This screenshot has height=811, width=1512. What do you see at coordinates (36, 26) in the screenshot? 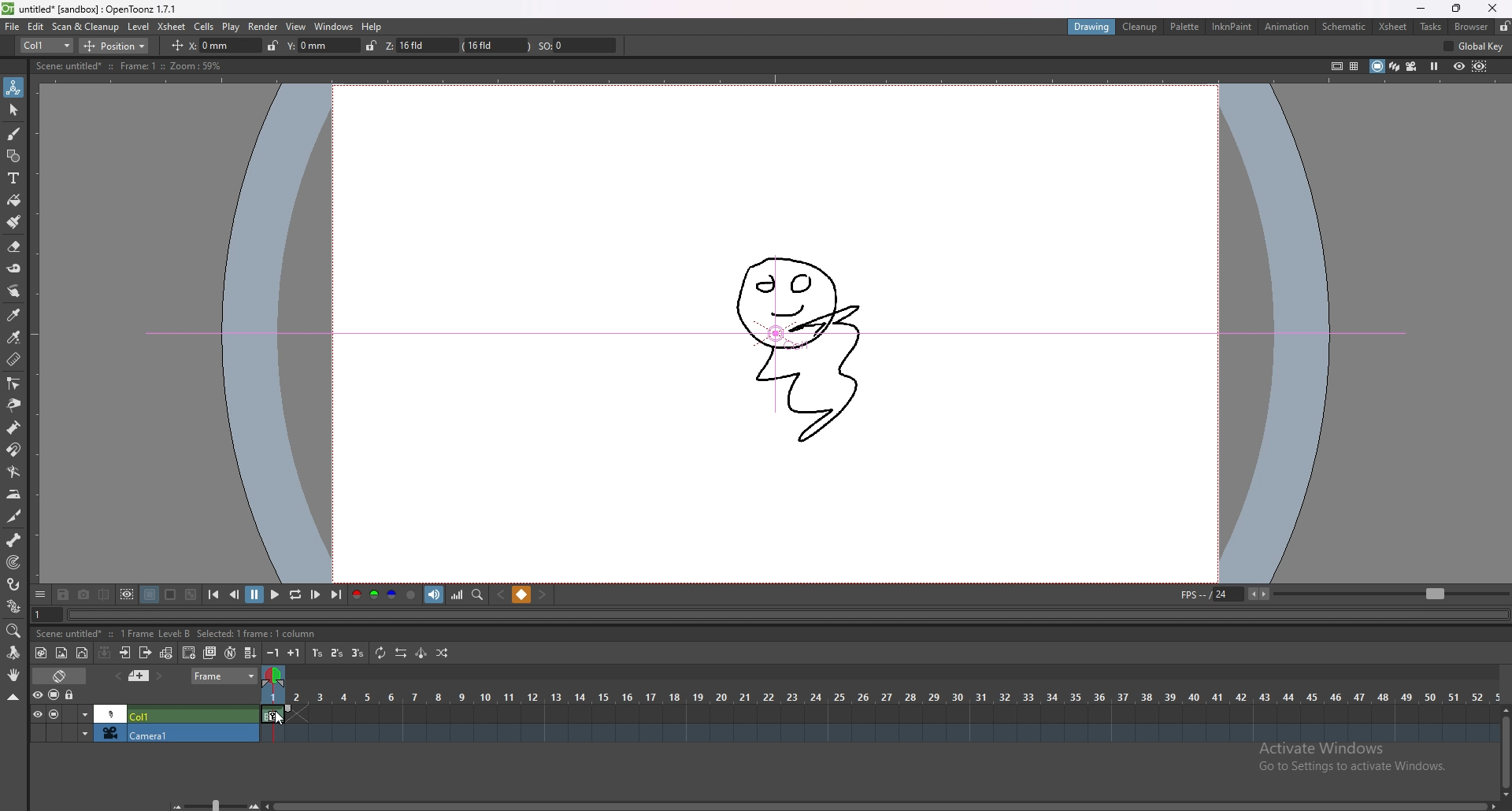
I see `edit` at bounding box center [36, 26].